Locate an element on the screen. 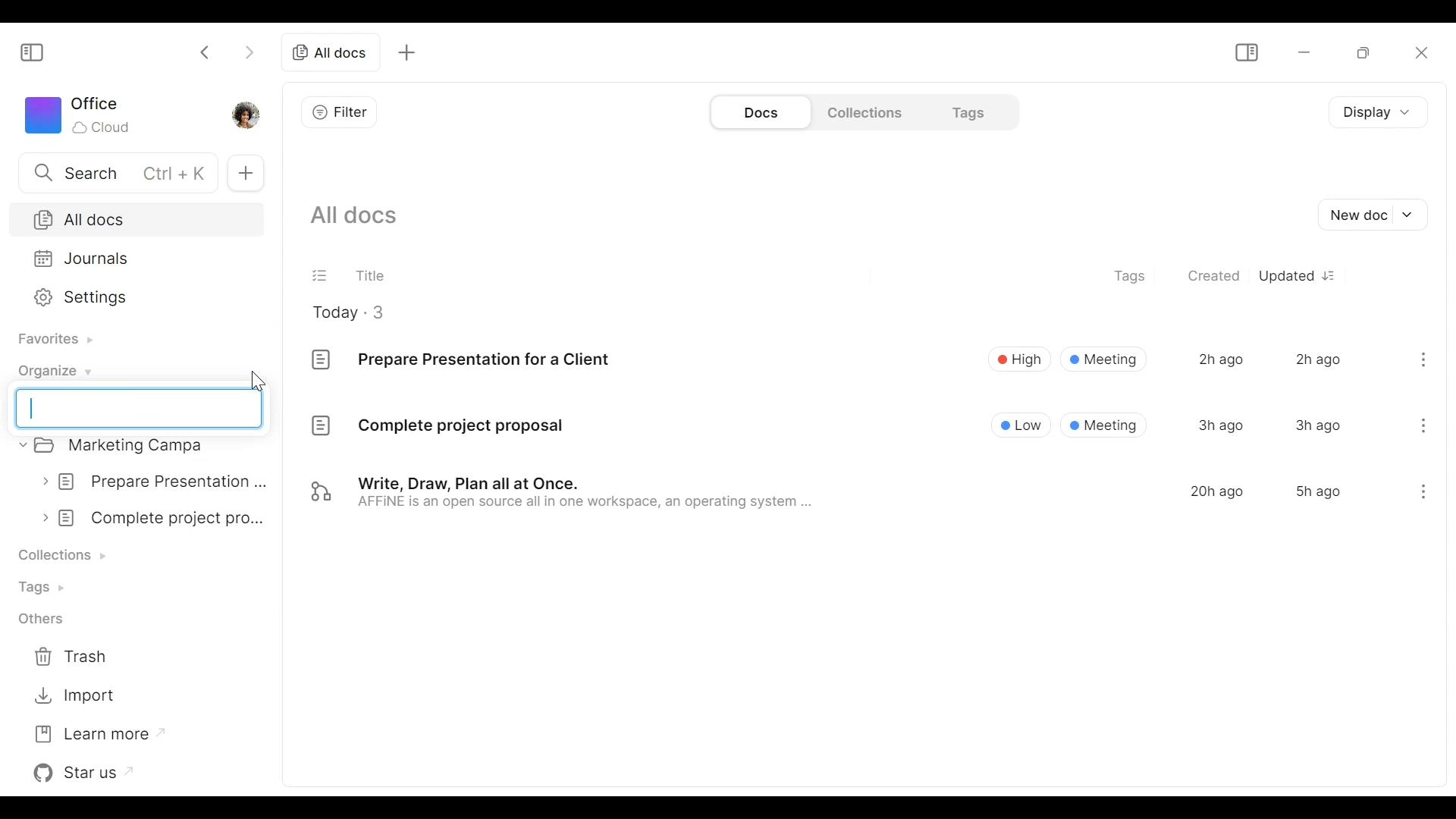 This screenshot has width=1456, height=819. Journals is located at coordinates (133, 258).